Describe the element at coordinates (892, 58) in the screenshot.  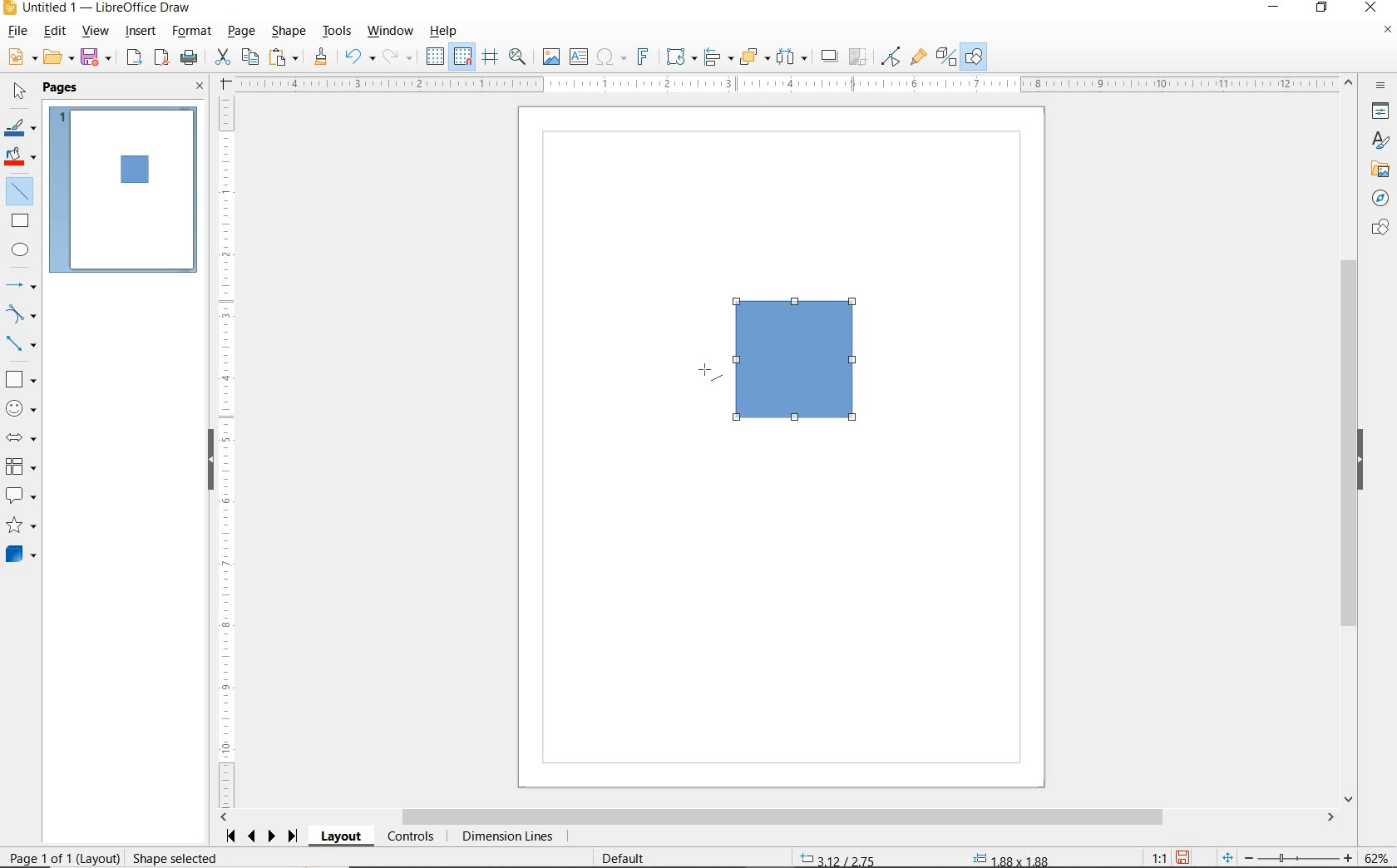
I see `TOGGLE POINT EDIT MODE` at that location.